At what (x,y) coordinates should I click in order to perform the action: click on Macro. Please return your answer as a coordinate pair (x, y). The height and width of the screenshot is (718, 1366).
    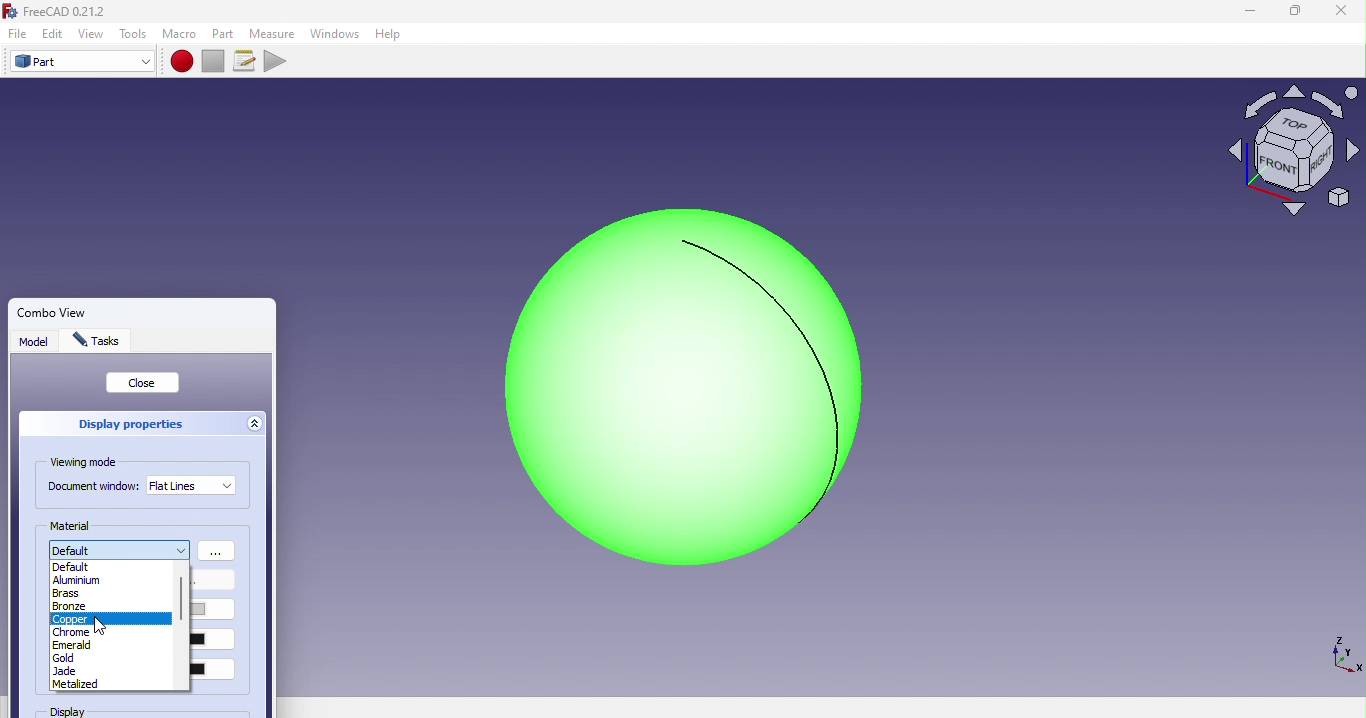
    Looking at the image, I should click on (179, 34).